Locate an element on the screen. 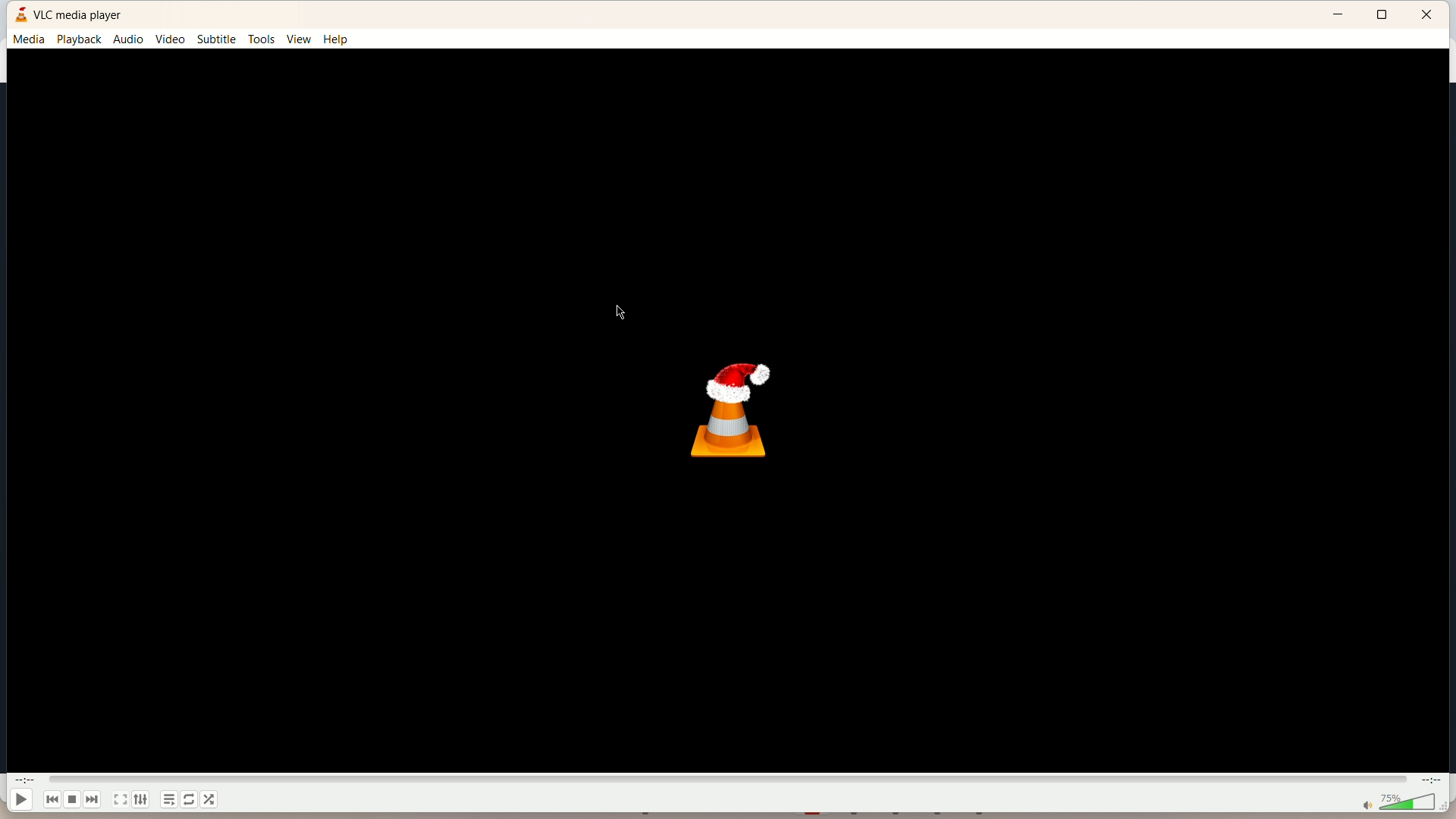 The image size is (1456, 819). close is located at coordinates (1431, 16).